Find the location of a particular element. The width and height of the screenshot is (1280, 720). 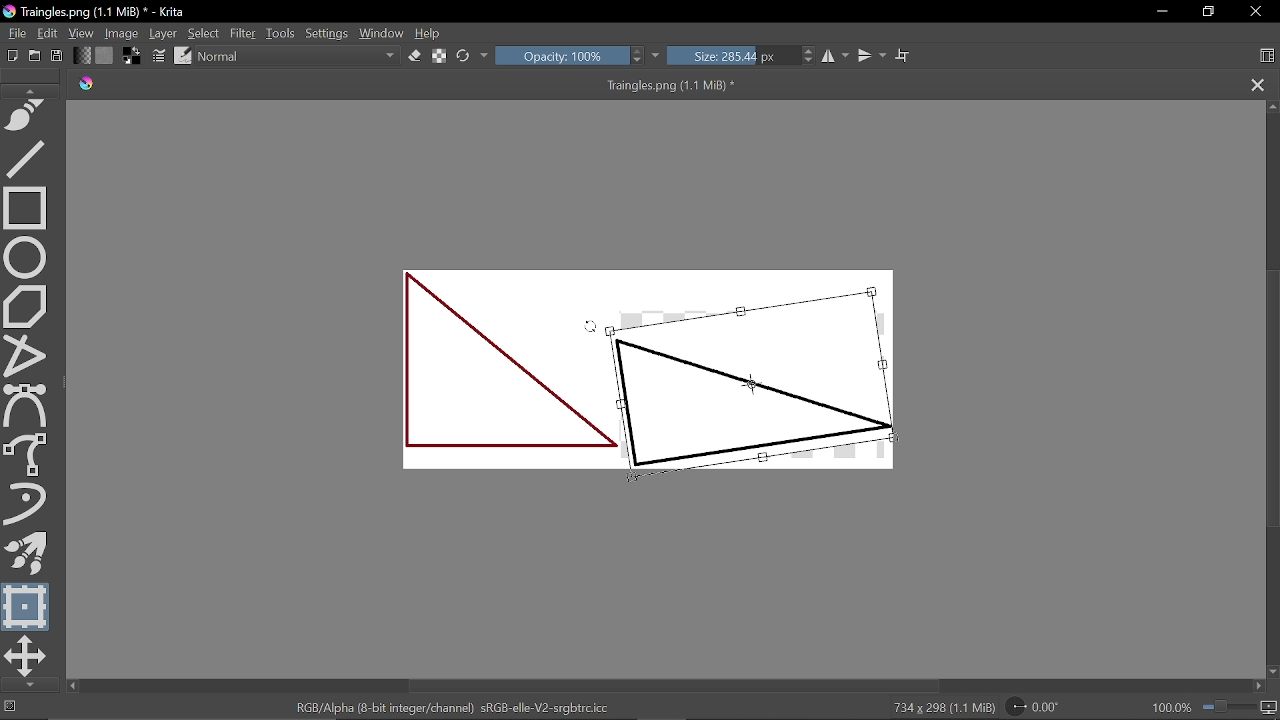

Wrap text tool is located at coordinates (904, 56).